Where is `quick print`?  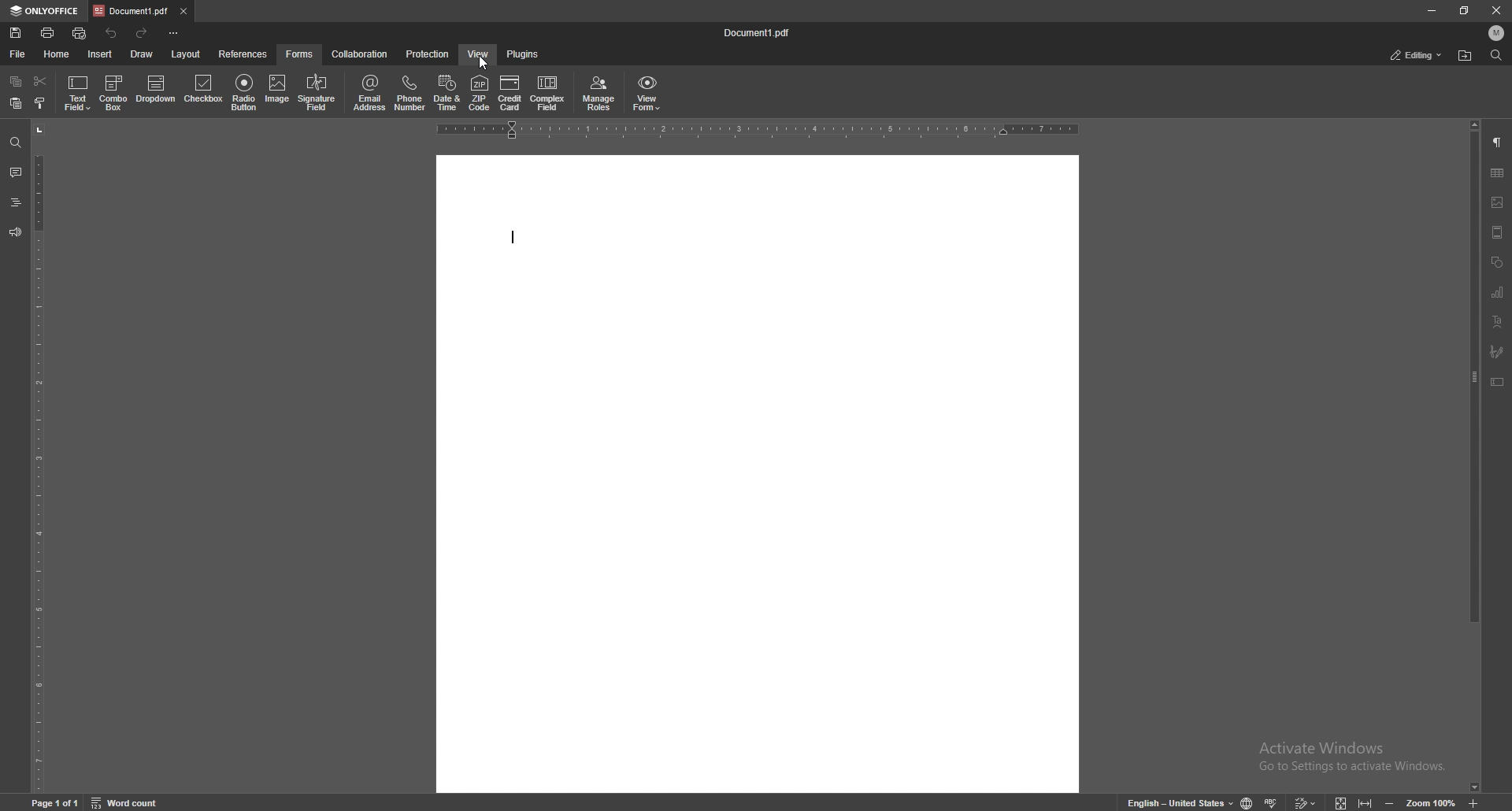 quick print is located at coordinates (81, 33).